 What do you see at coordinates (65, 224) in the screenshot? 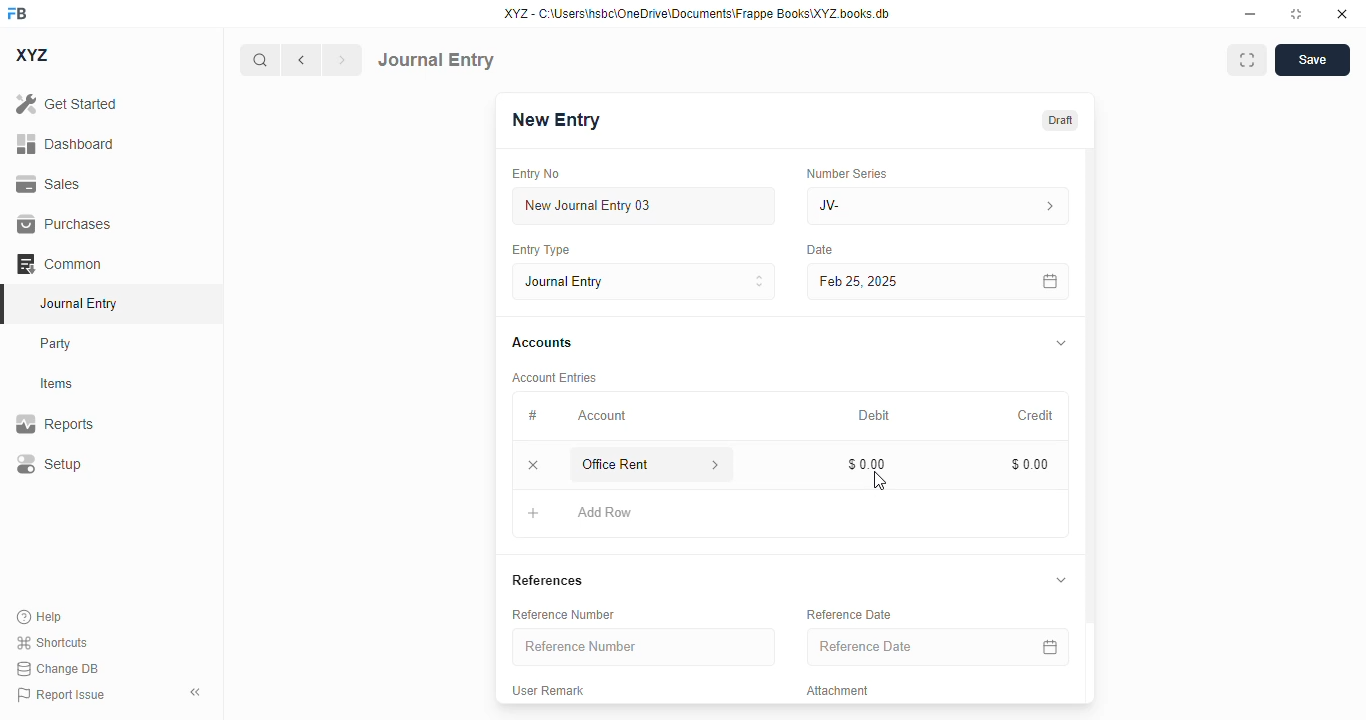
I see `purchases` at bounding box center [65, 224].